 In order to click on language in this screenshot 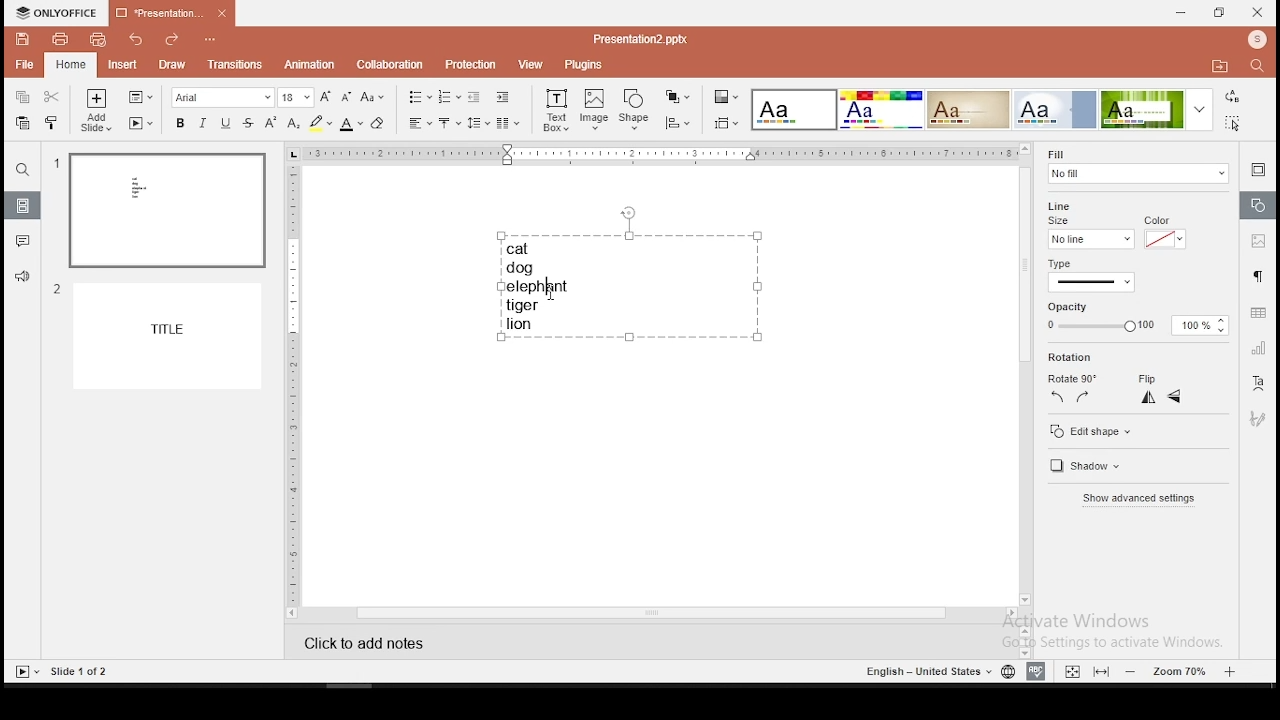, I will do `click(1004, 671)`.